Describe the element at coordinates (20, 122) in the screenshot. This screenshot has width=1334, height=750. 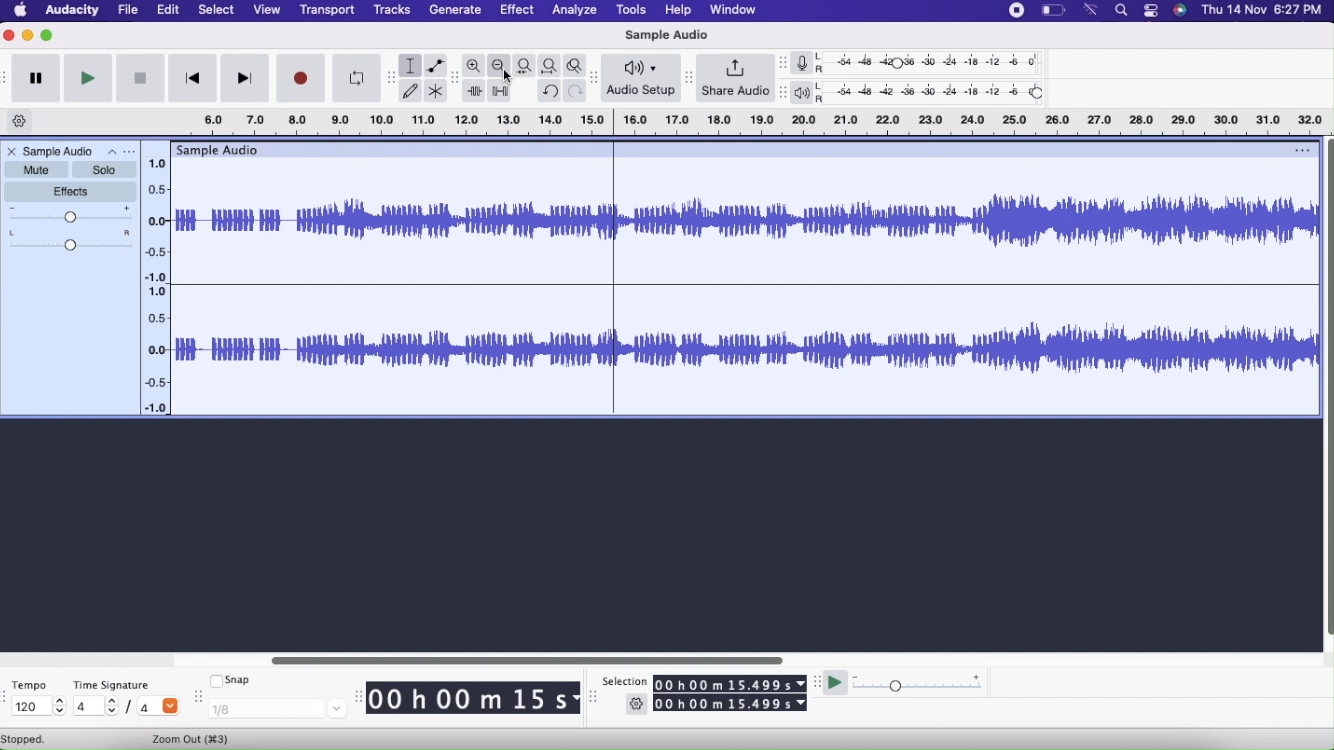
I see `Timeline options` at that location.